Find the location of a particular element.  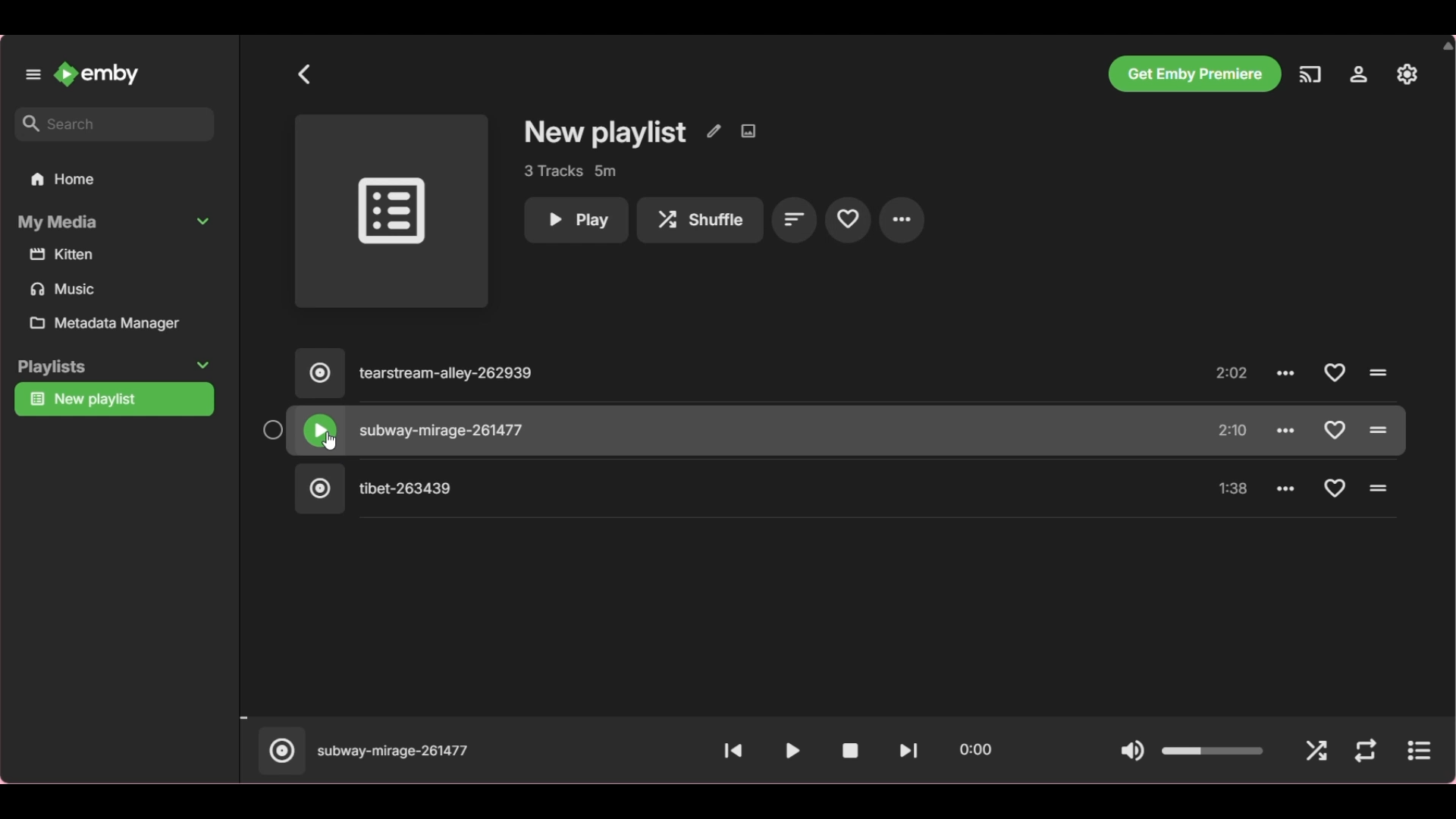

Mute is located at coordinates (1132, 752).